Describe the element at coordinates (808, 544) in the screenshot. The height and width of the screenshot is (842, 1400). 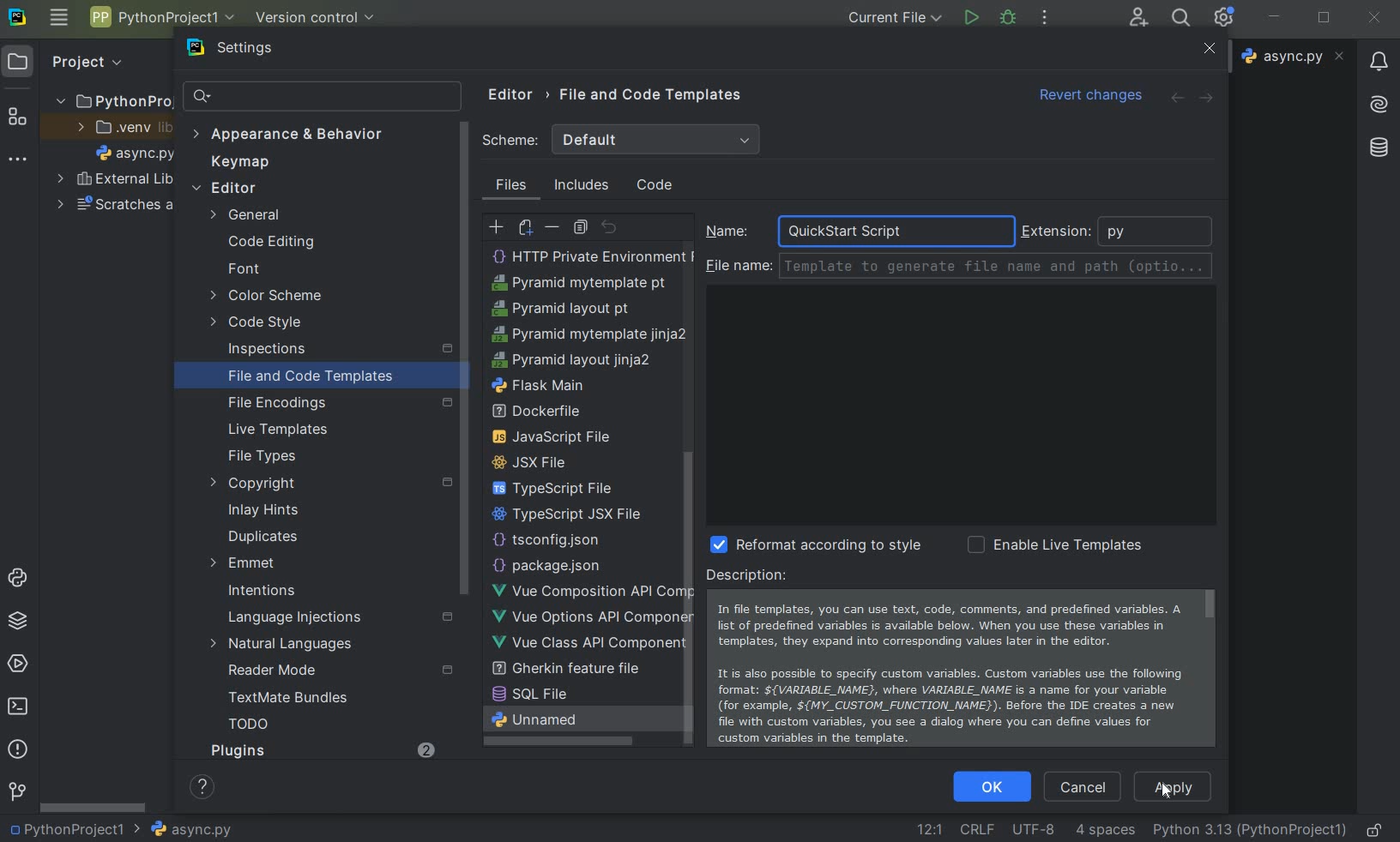
I see `reformat according to style` at that location.